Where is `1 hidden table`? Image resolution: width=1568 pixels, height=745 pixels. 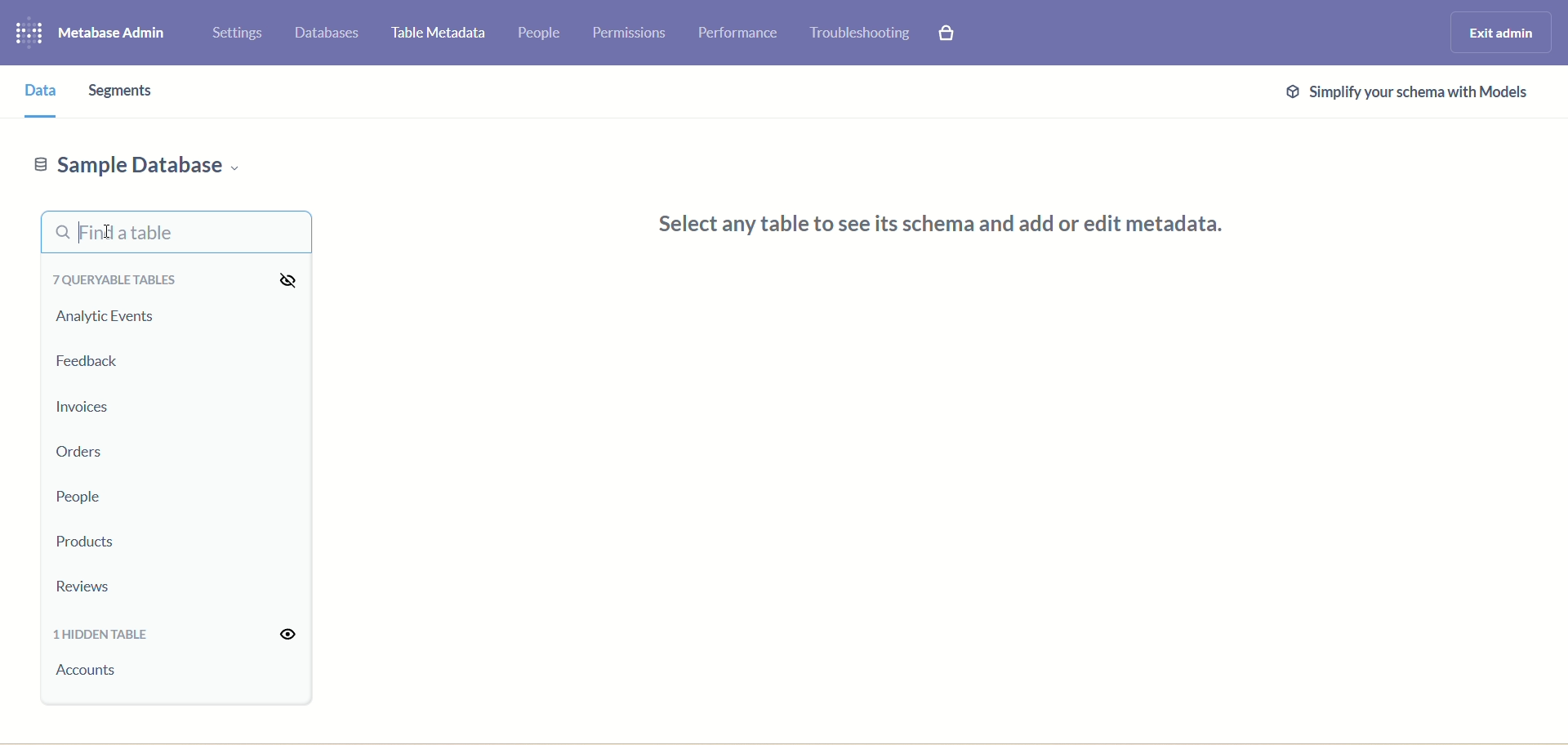 1 hidden table is located at coordinates (110, 635).